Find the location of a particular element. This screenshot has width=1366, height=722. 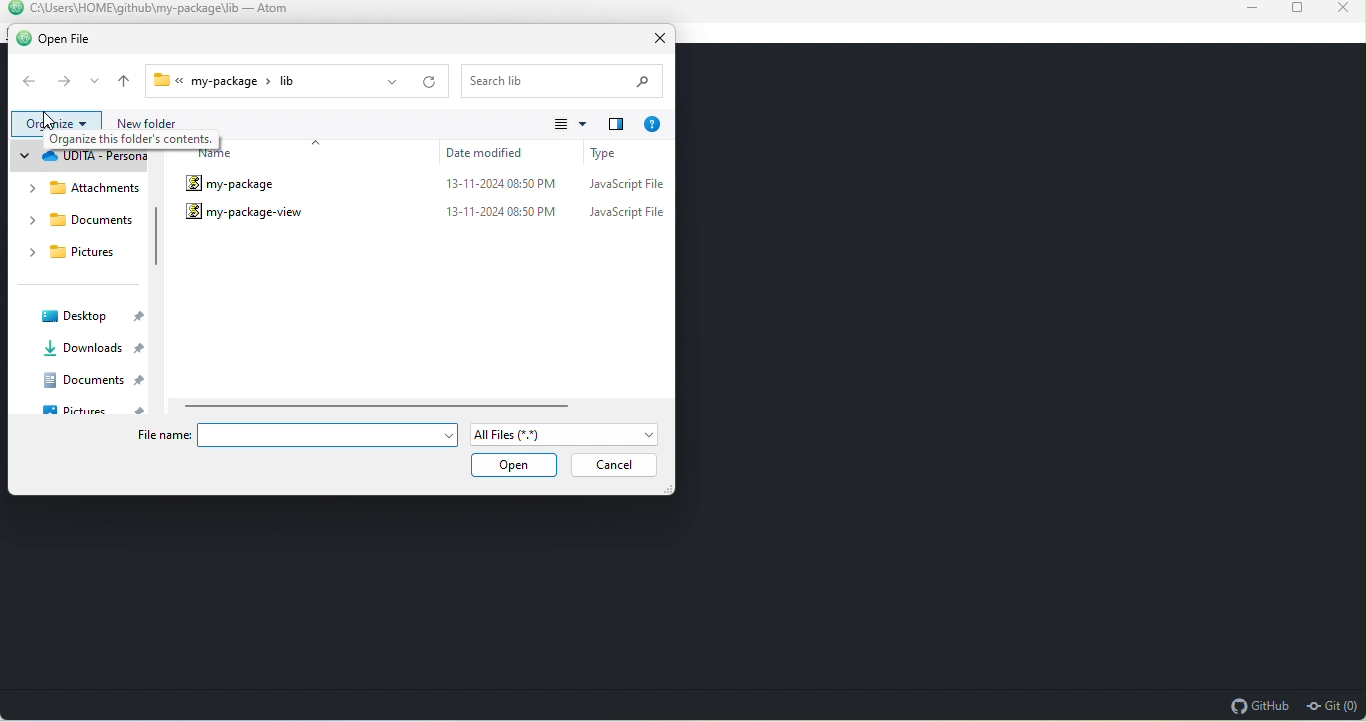

change views is located at coordinates (572, 127).